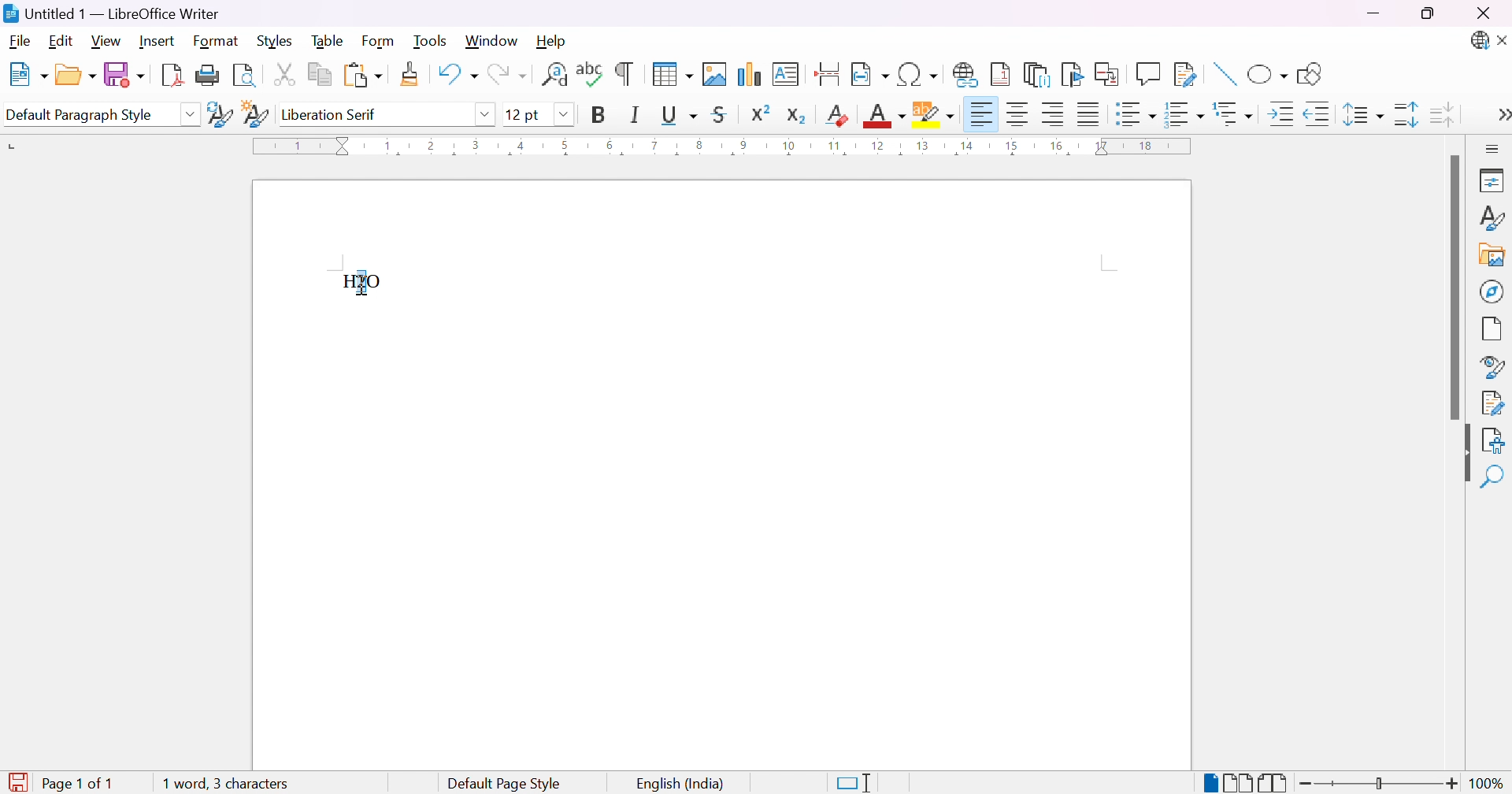 The image size is (1512, 794). Describe the element at coordinates (1223, 76) in the screenshot. I see `Insert line` at that location.